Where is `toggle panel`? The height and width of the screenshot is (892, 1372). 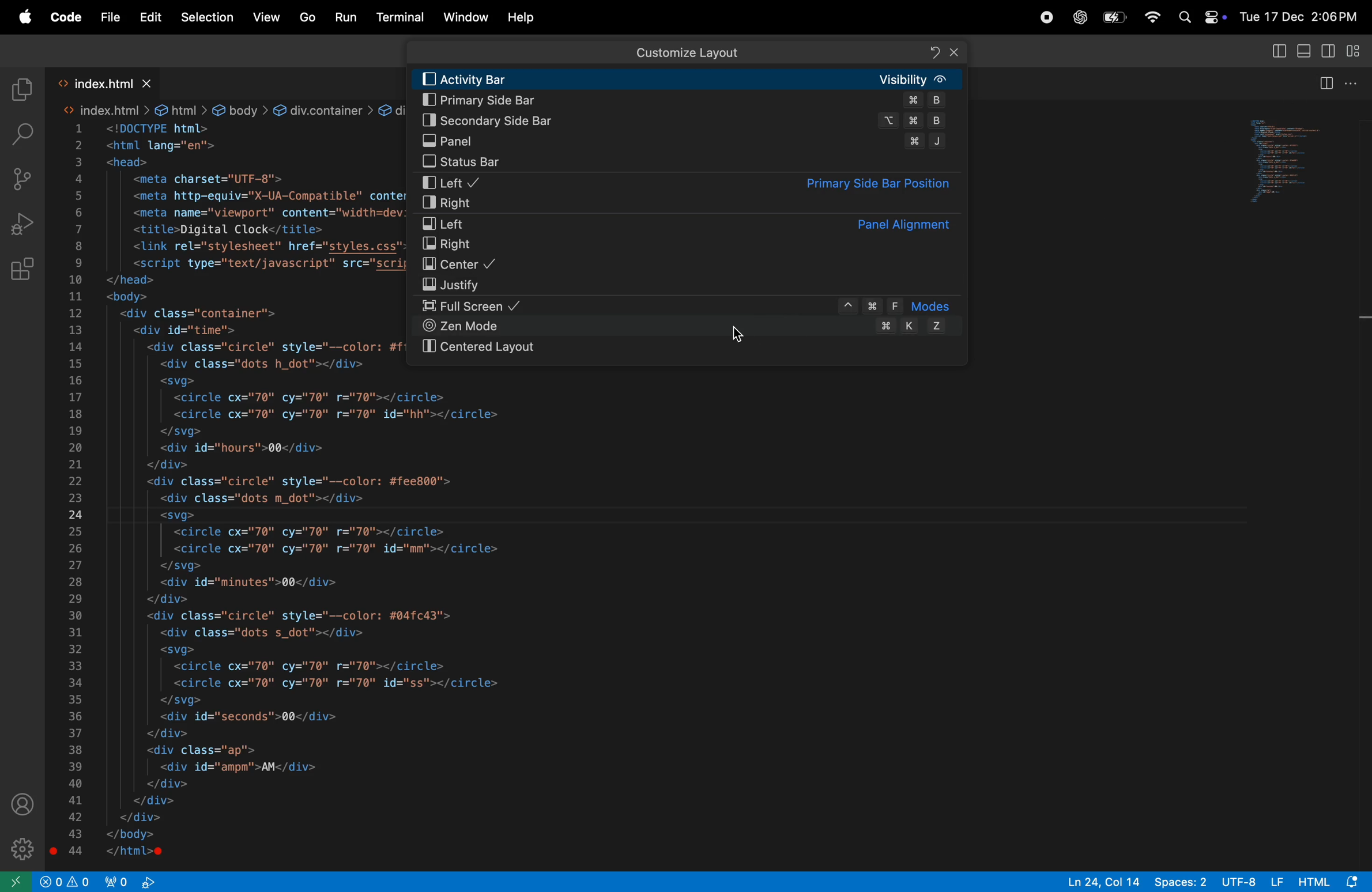 toggle panel is located at coordinates (1290, 161).